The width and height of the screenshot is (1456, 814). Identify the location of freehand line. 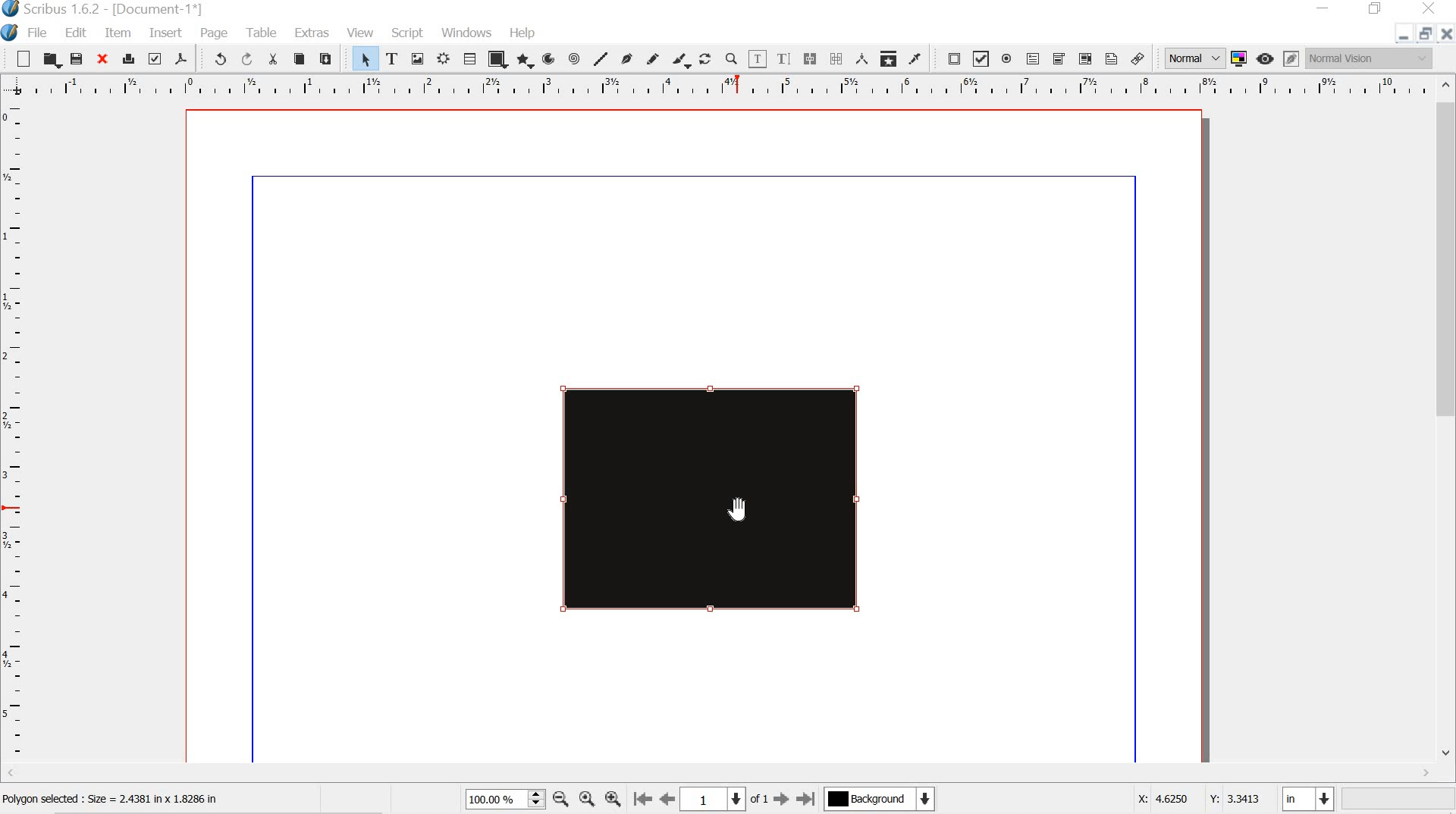
(653, 59).